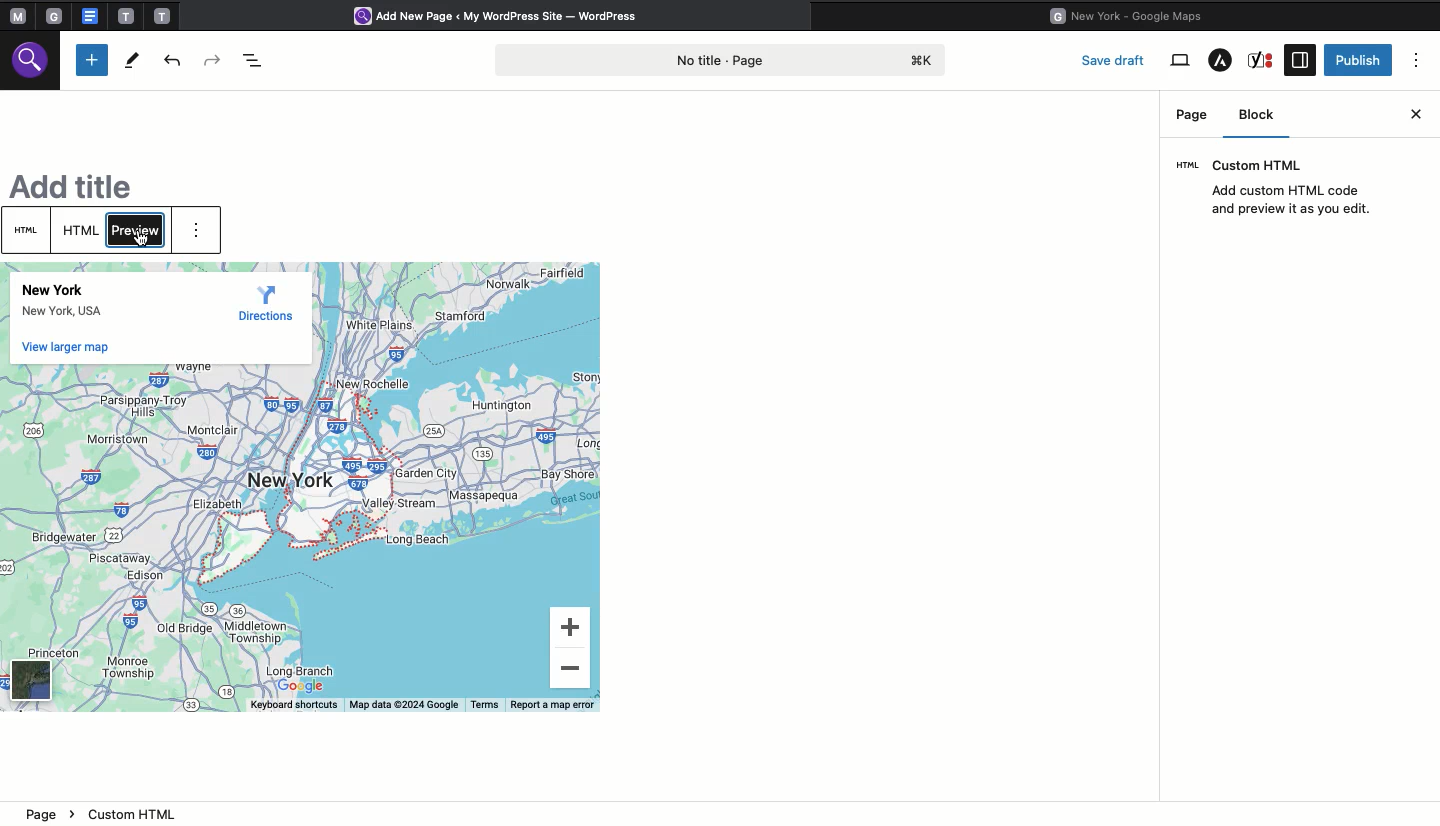 This screenshot has width=1440, height=826. I want to click on Page, so click(1192, 114).